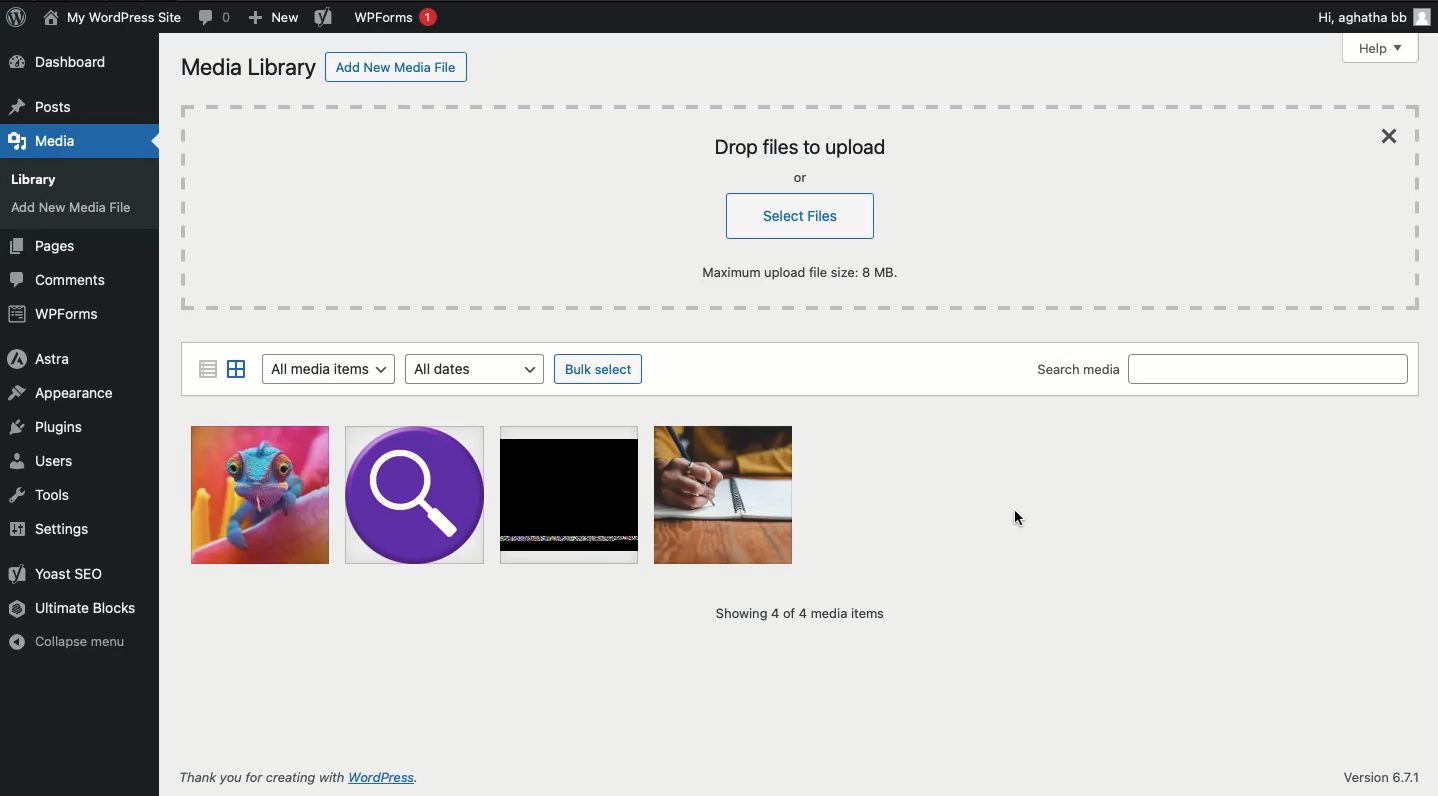 This screenshot has width=1438, height=796. What do you see at coordinates (1265, 49) in the screenshot?
I see `Screen options` at bounding box center [1265, 49].